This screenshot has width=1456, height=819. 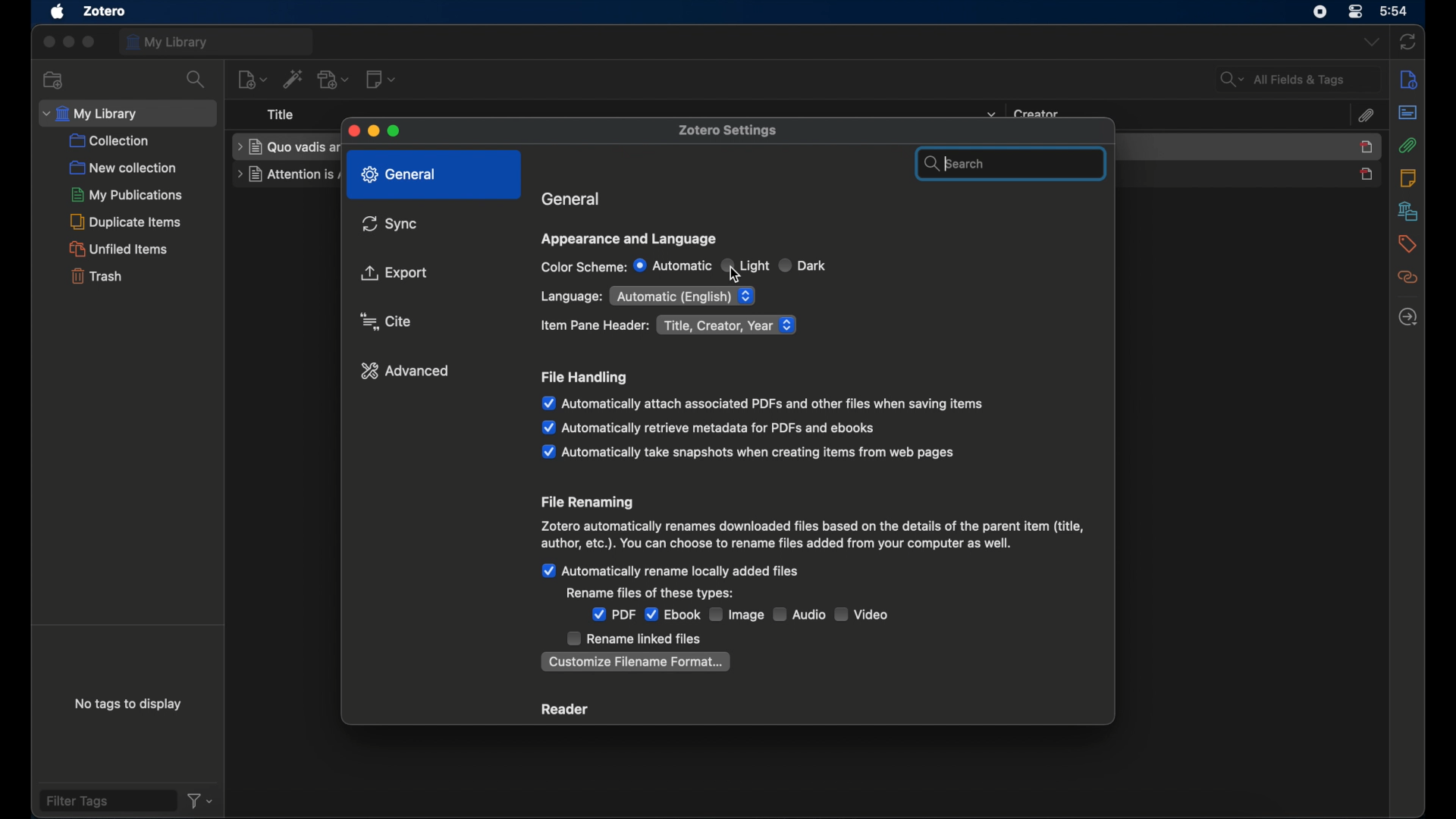 What do you see at coordinates (196, 80) in the screenshot?
I see `search` at bounding box center [196, 80].